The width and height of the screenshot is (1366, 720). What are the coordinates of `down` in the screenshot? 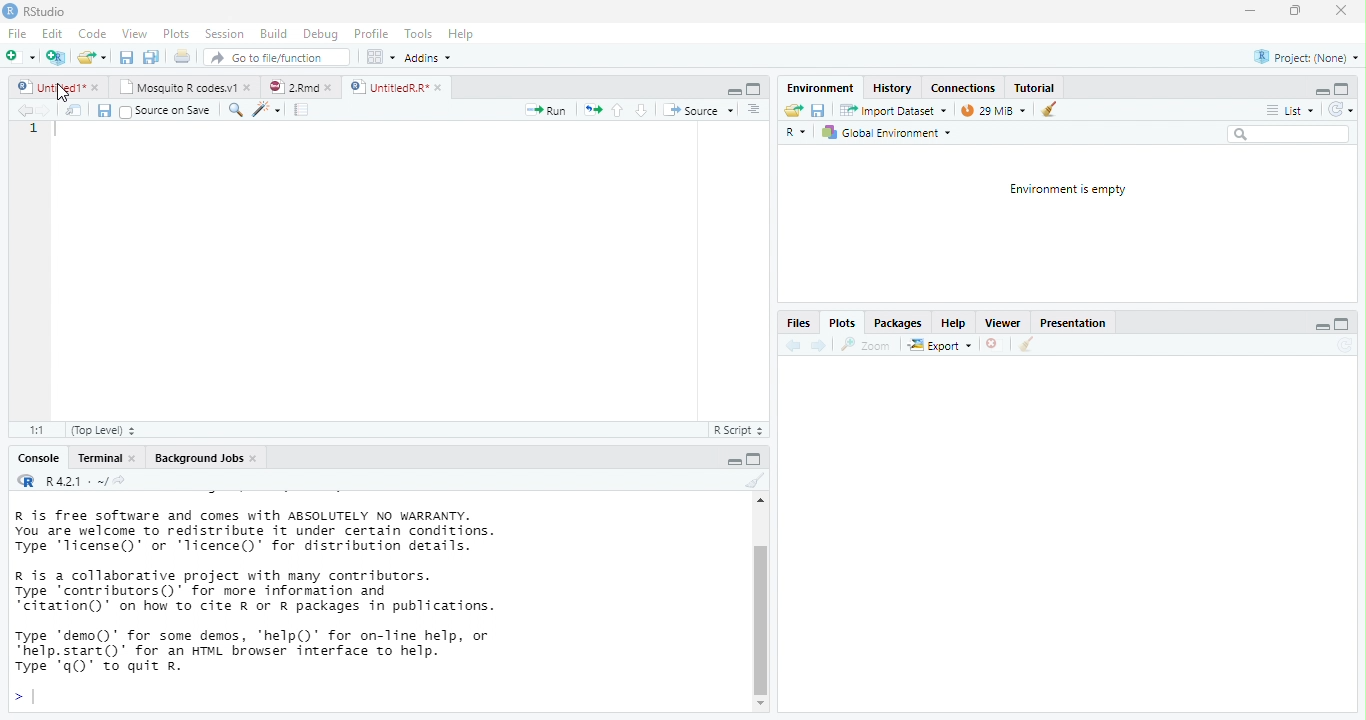 It's located at (641, 110).